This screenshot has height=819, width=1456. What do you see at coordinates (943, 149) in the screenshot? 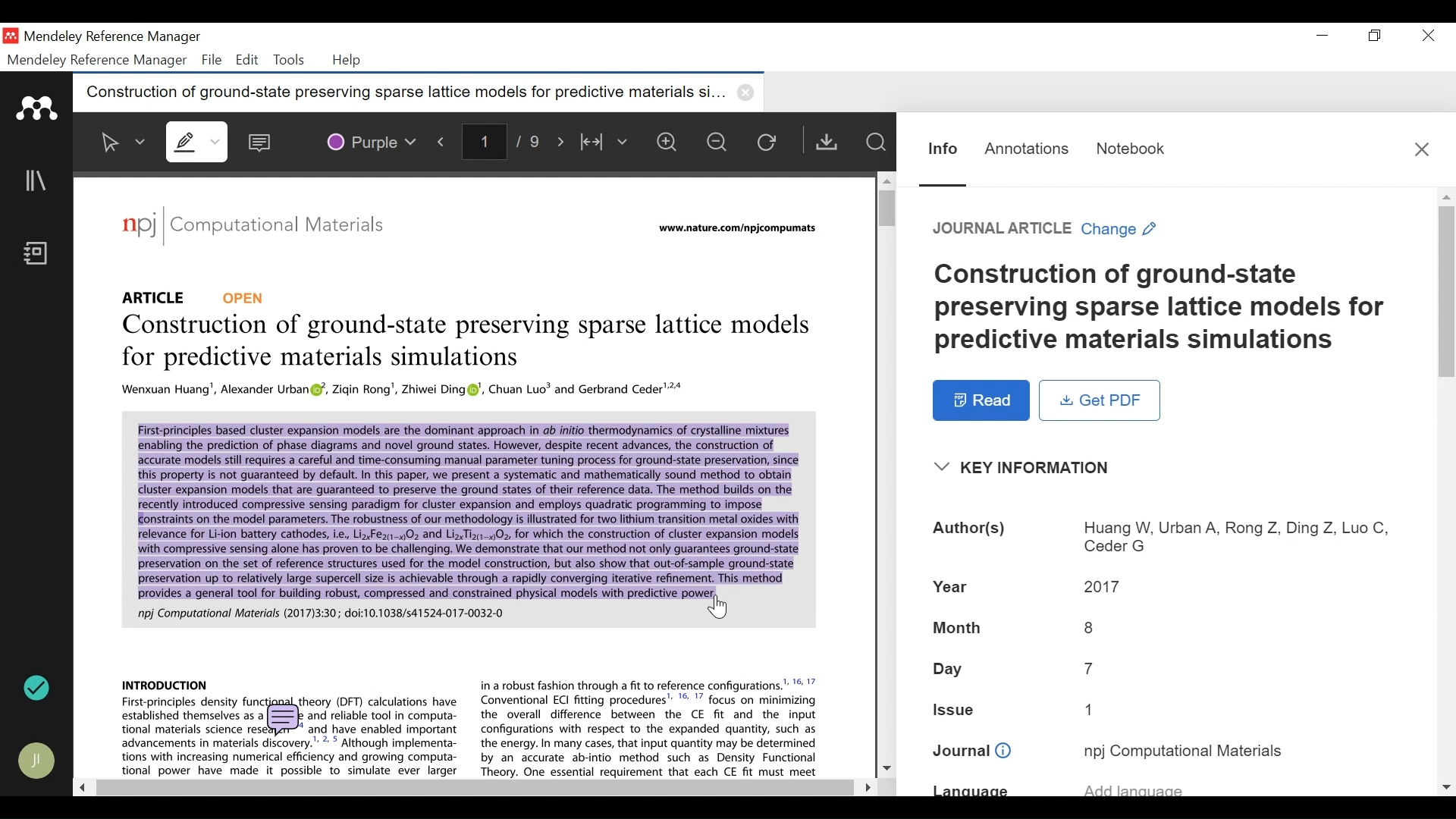
I see `Information ` at bounding box center [943, 149].